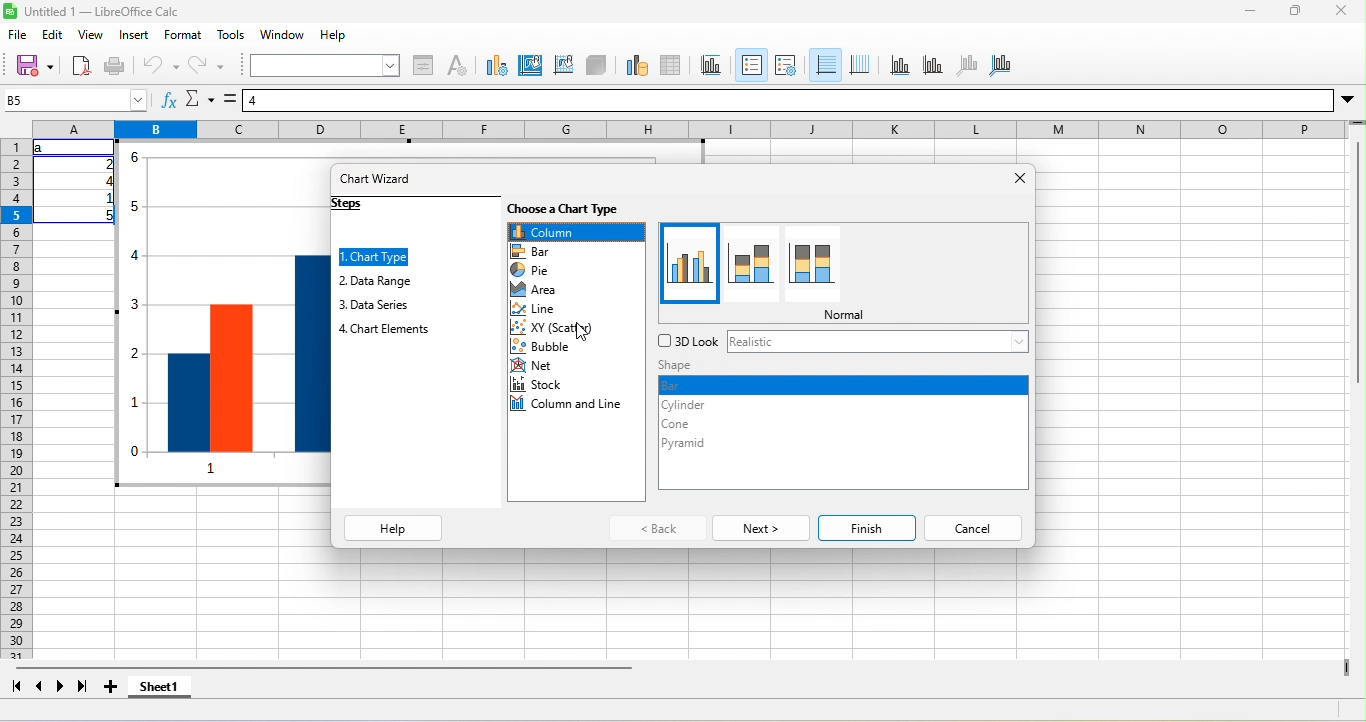  What do you see at coordinates (34, 66) in the screenshot?
I see `save` at bounding box center [34, 66].